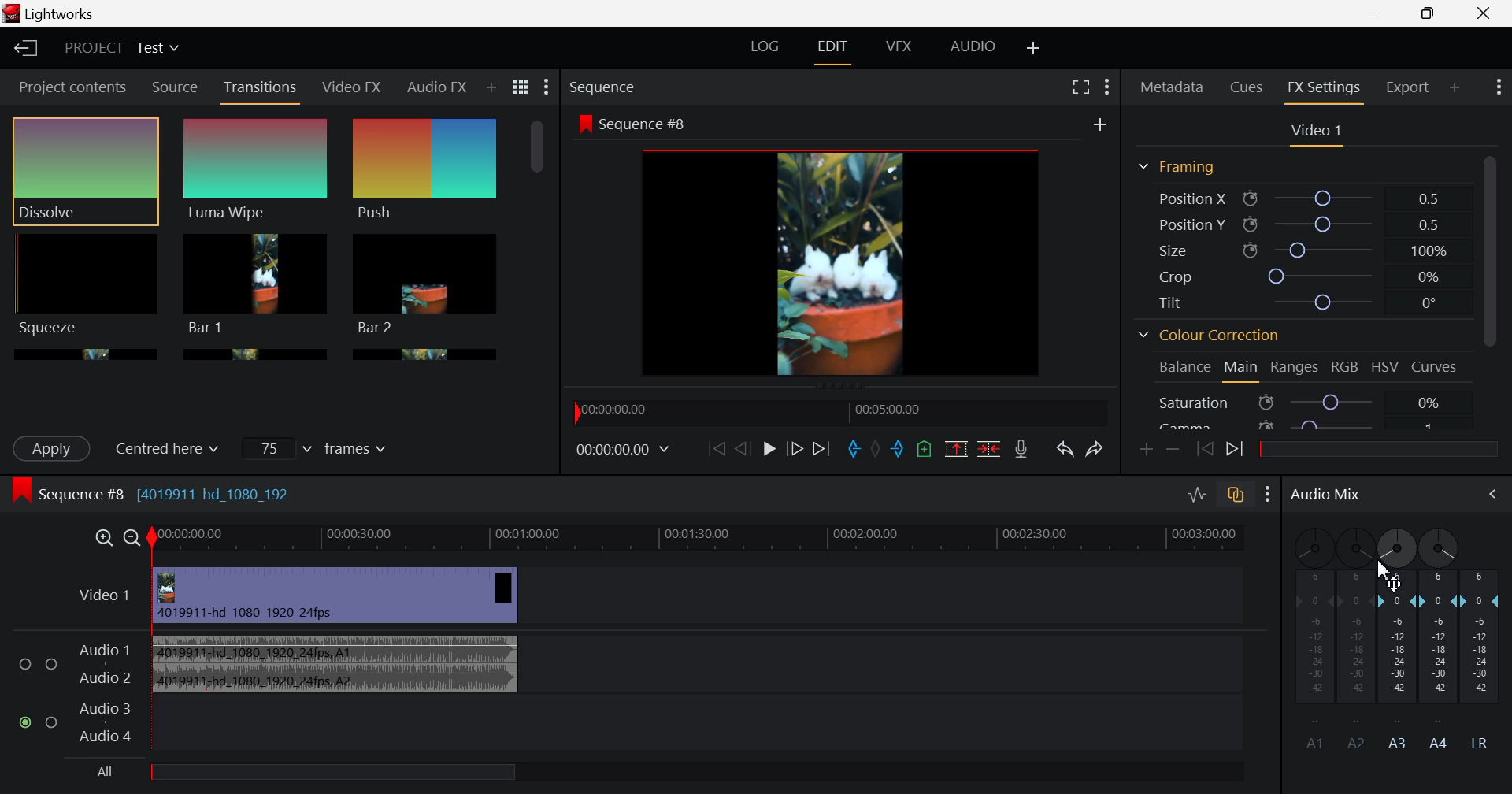 This screenshot has height=794, width=1512. What do you see at coordinates (318, 447) in the screenshot?
I see `Frames Input` at bounding box center [318, 447].